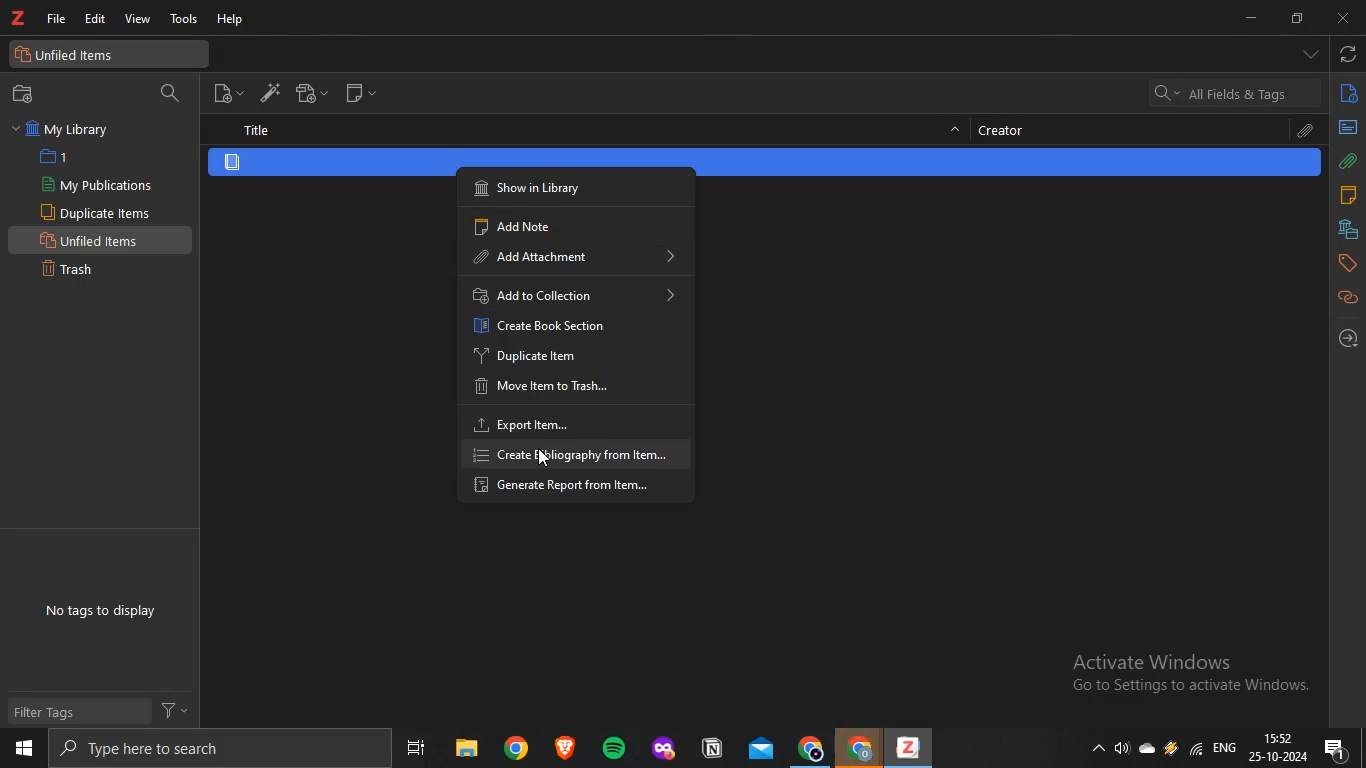  What do you see at coordinates (76, 267) in the screenshot?
I see `Trash` at bounding box center [76, 267].